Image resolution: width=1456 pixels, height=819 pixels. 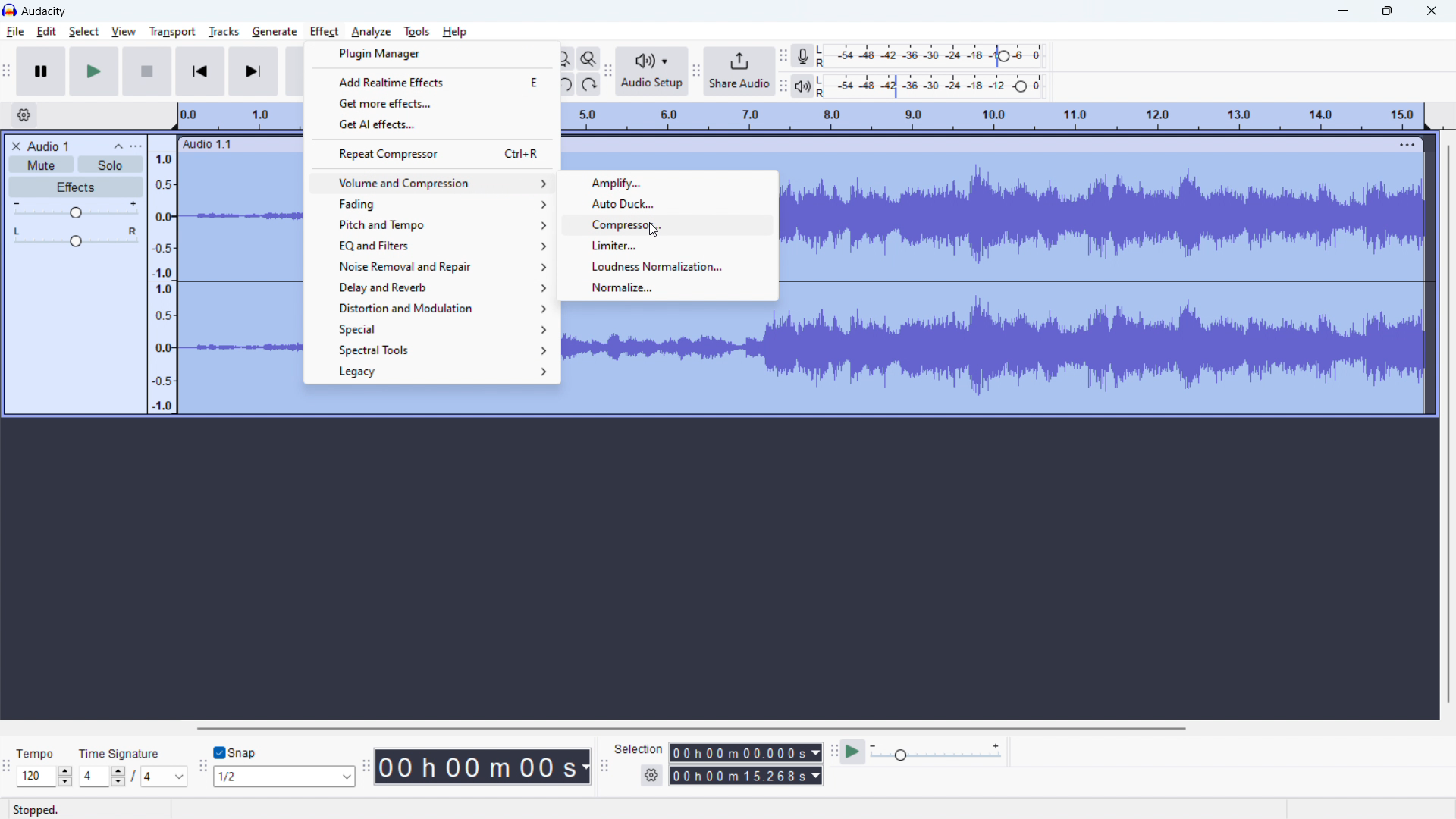 I want to click on EQ and filters, so click(x=429, y=245).